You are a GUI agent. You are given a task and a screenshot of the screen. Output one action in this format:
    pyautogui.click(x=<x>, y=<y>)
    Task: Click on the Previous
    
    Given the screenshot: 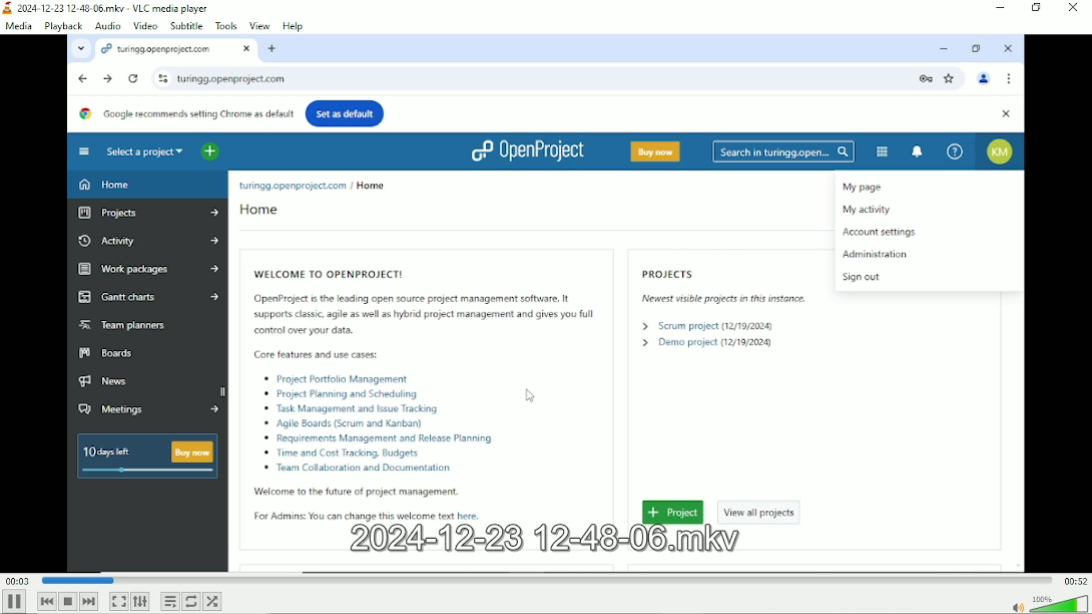 What is the action you would take?
    pyautogui.click(x=46, y=602)
    